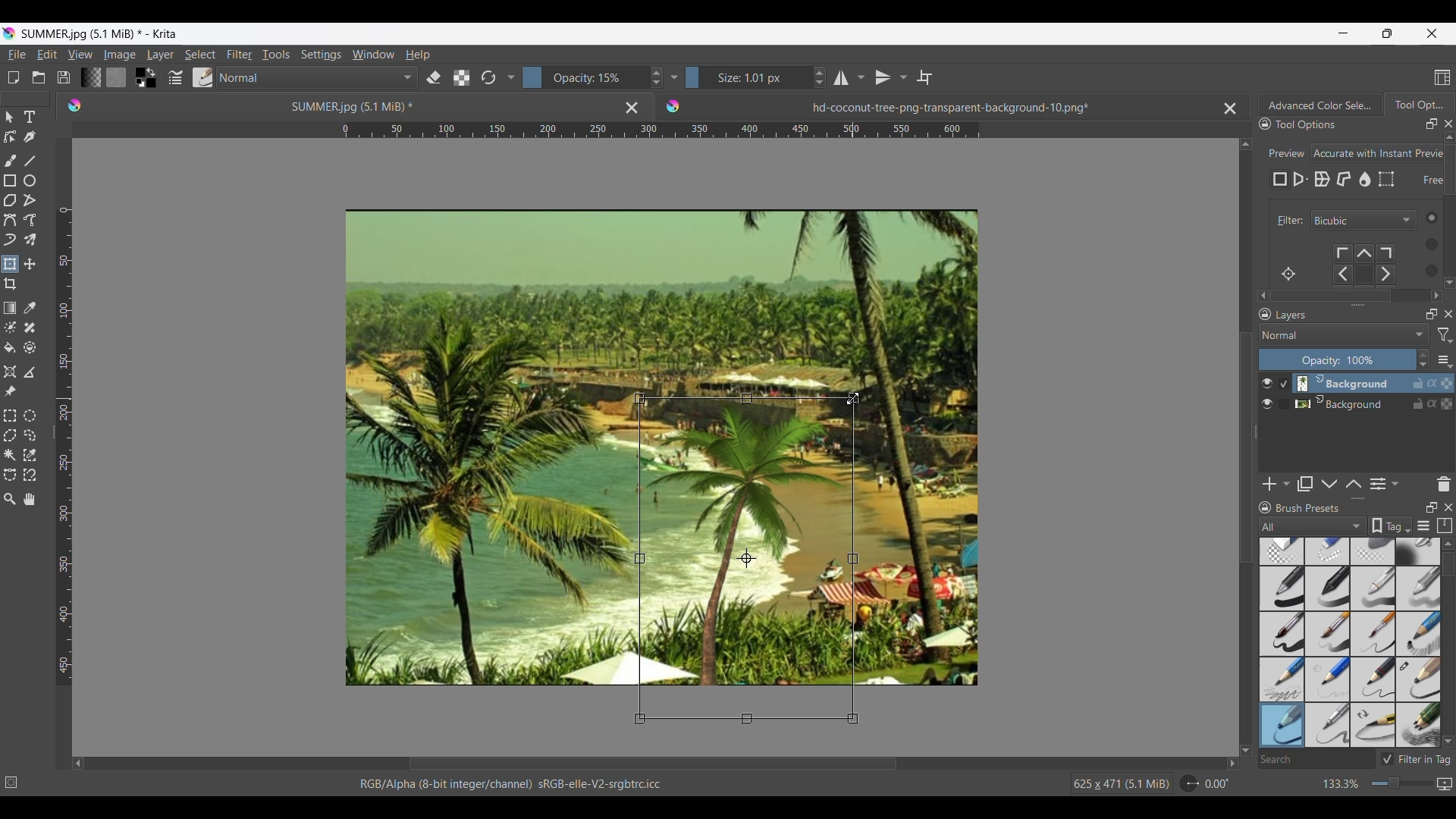 The height and width of the screenshot is (819, 1456). What do you see at coordinates (78, 763) in the screenshot?
I see `Left` at bounding box center [78, 763].